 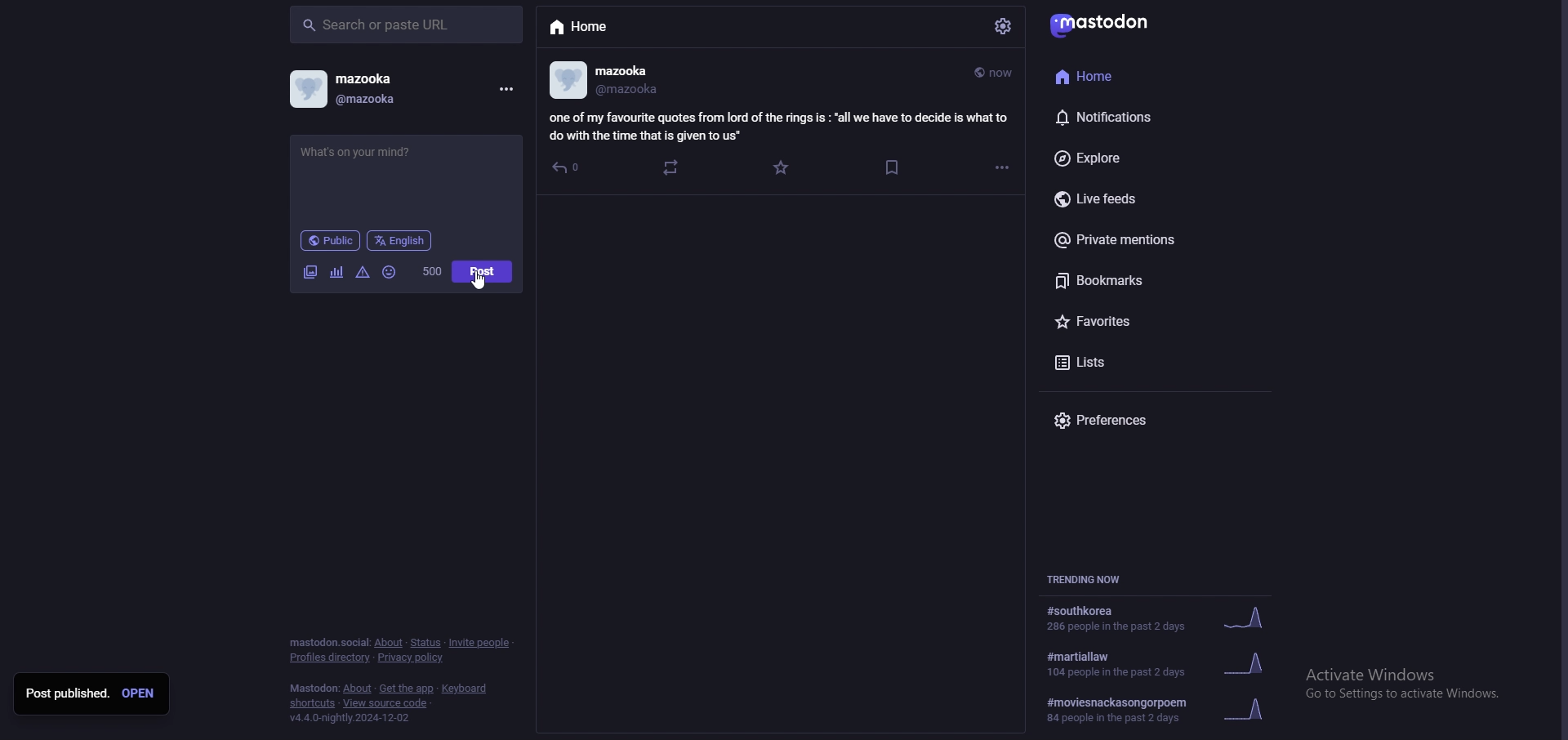 I want to click on polls, so click(x=338, y=274).